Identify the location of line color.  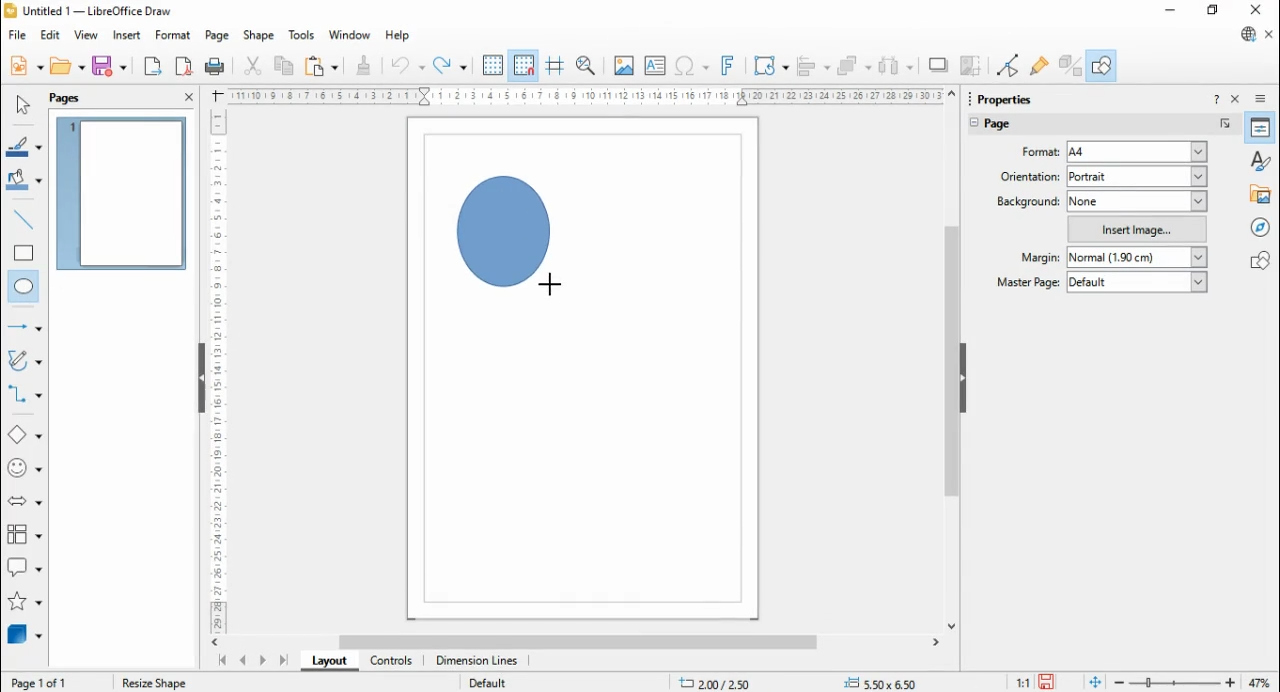
(26, 146).